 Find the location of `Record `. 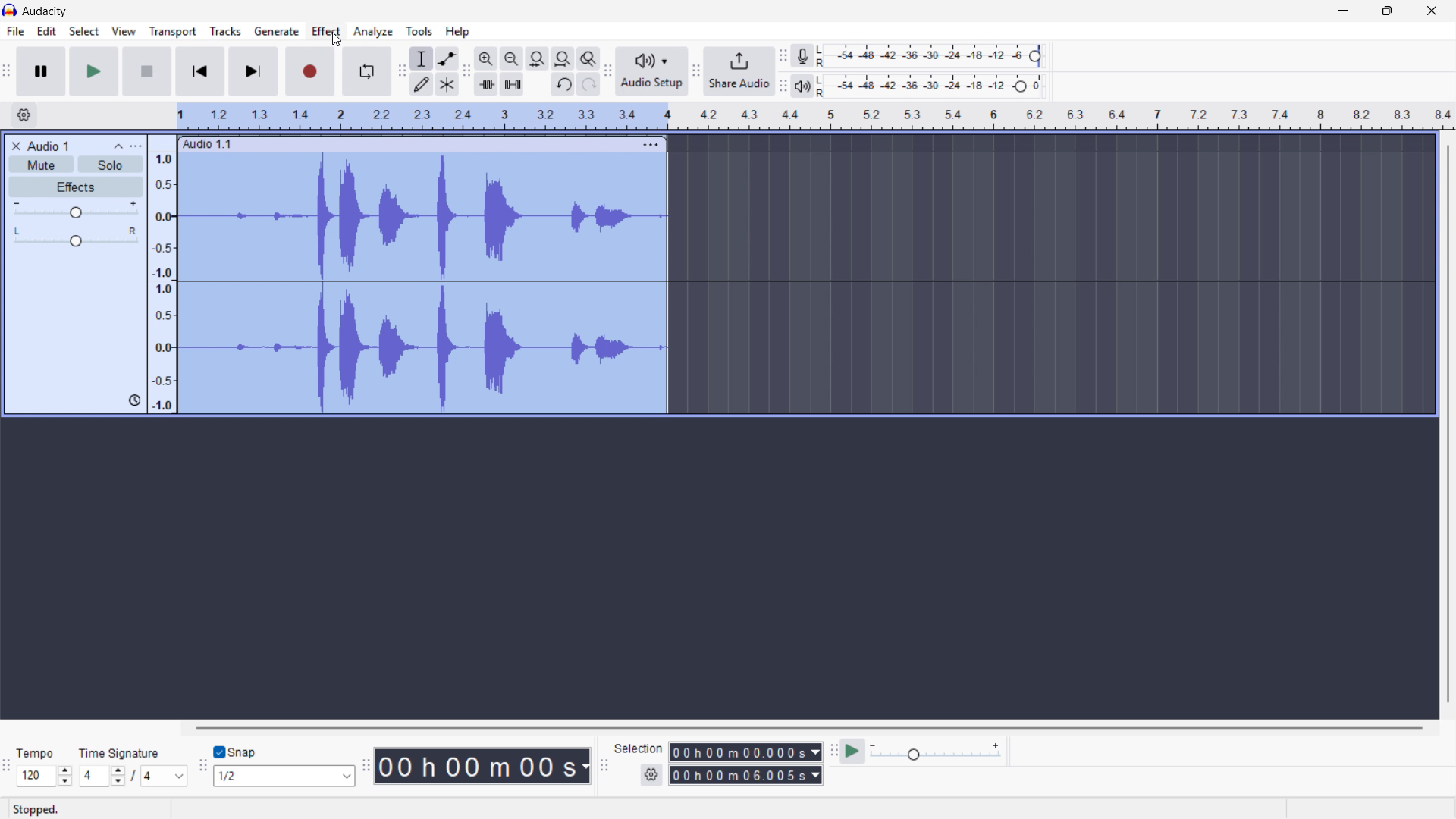

Record  is located at coordinates (310, 72).